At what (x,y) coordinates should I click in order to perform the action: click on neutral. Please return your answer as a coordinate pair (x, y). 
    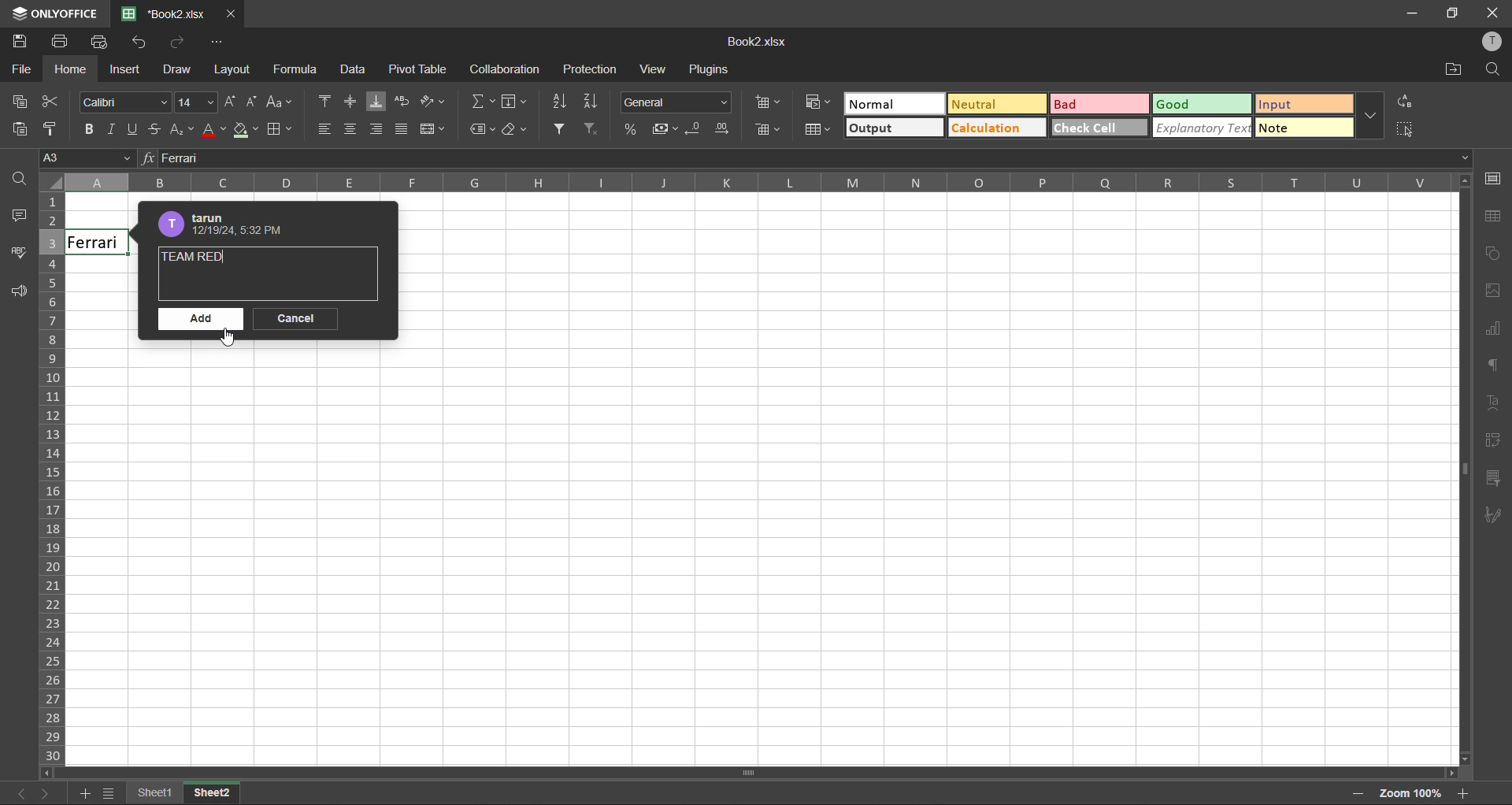
    Looking at the image, I should click on (996, 103).